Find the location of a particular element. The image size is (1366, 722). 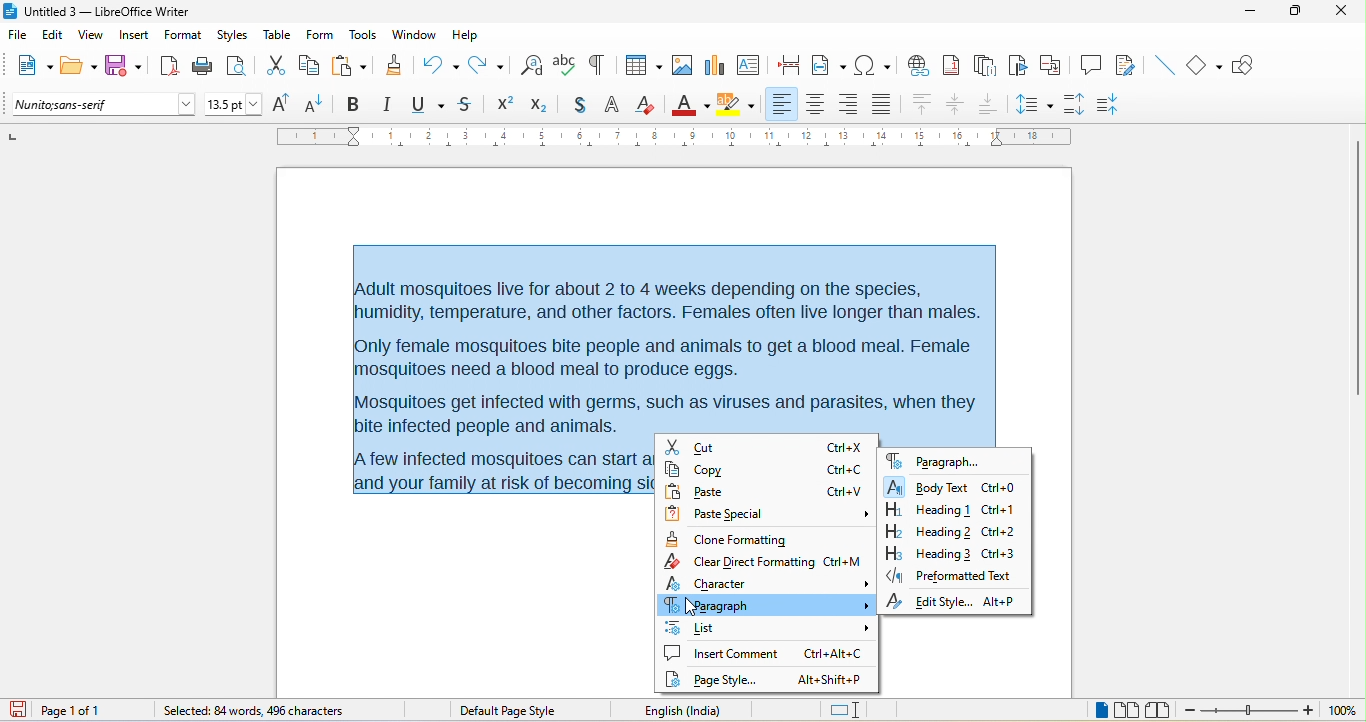

page break is located at coordinates (784, 63).